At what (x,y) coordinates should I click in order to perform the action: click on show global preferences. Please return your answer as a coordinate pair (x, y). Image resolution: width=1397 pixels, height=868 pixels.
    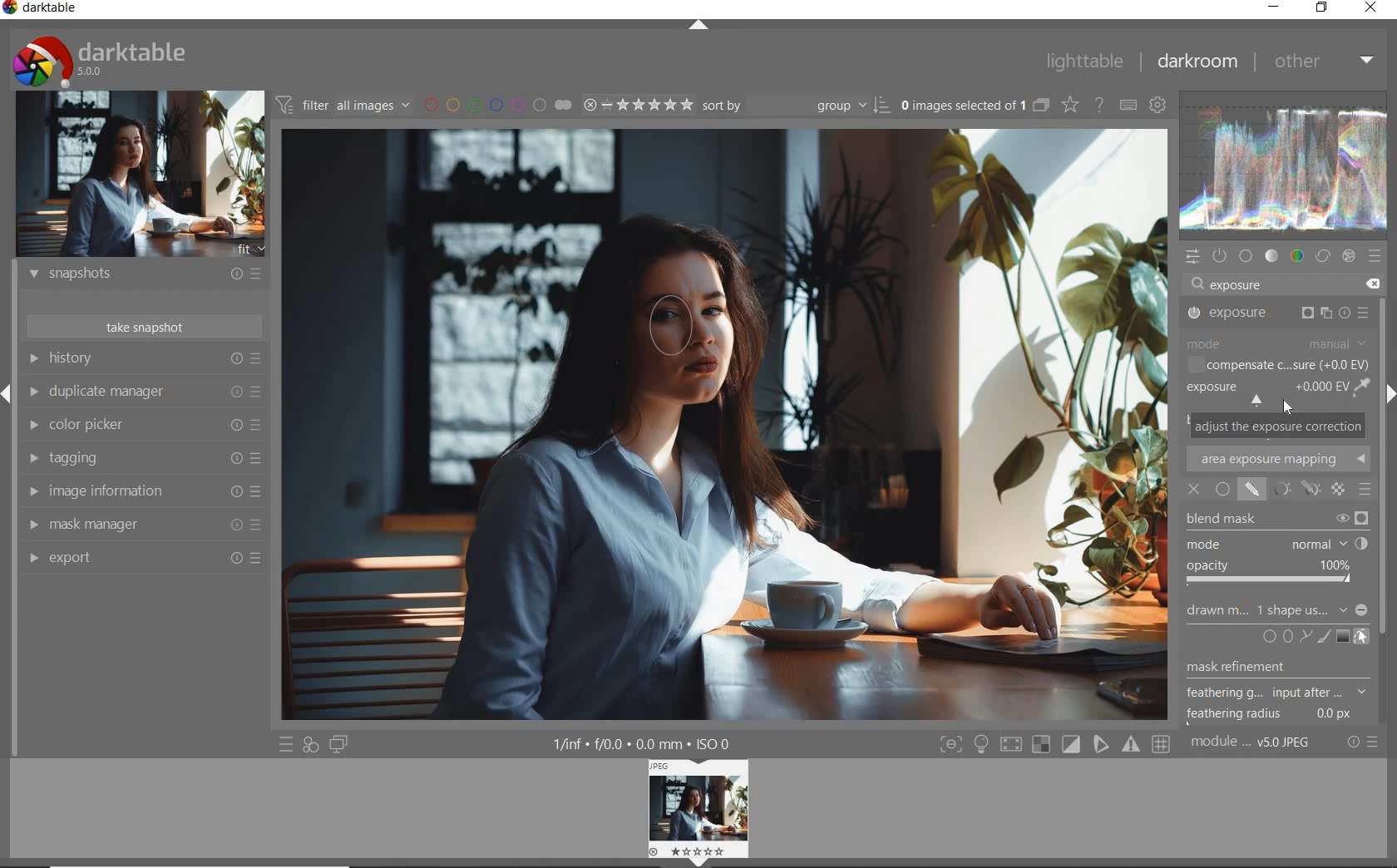
    Looking at the image, I should click on (1158, 104).